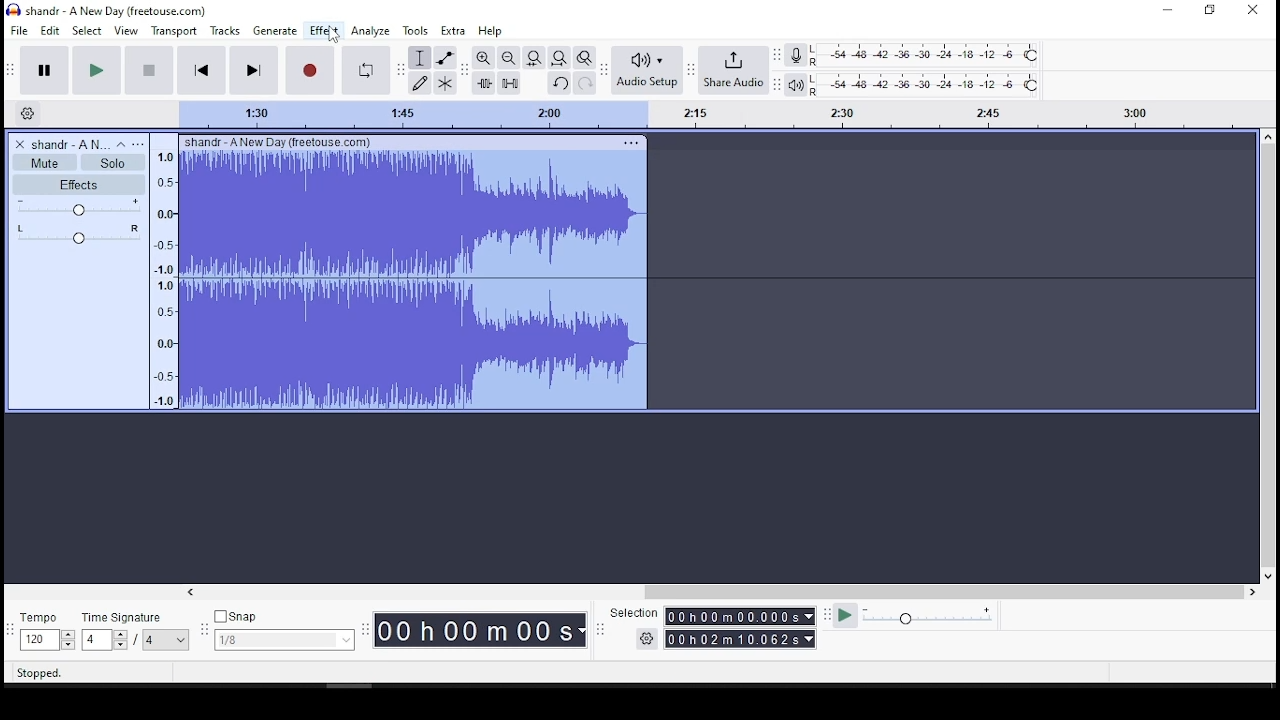 Image resolution: width=1280 pixels, height=720 pixels. What do you see at coordinates (310, 71) in the screenshot?
I see `record` at bounding box center [310, 71].